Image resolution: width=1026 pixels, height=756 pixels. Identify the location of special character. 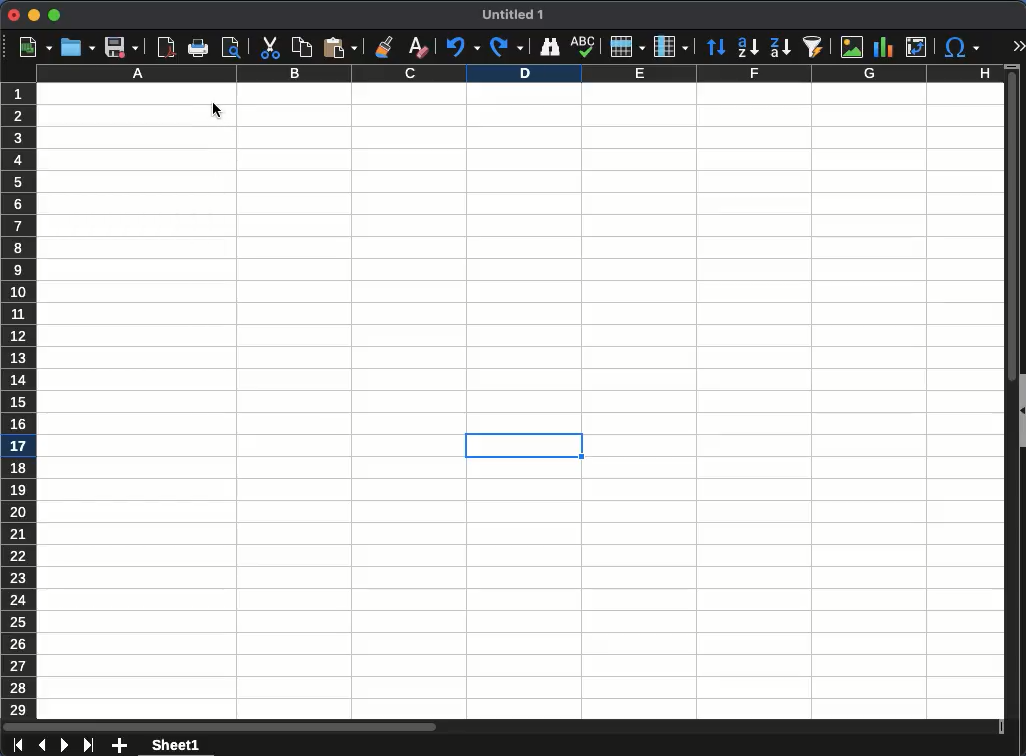
(964, 49).